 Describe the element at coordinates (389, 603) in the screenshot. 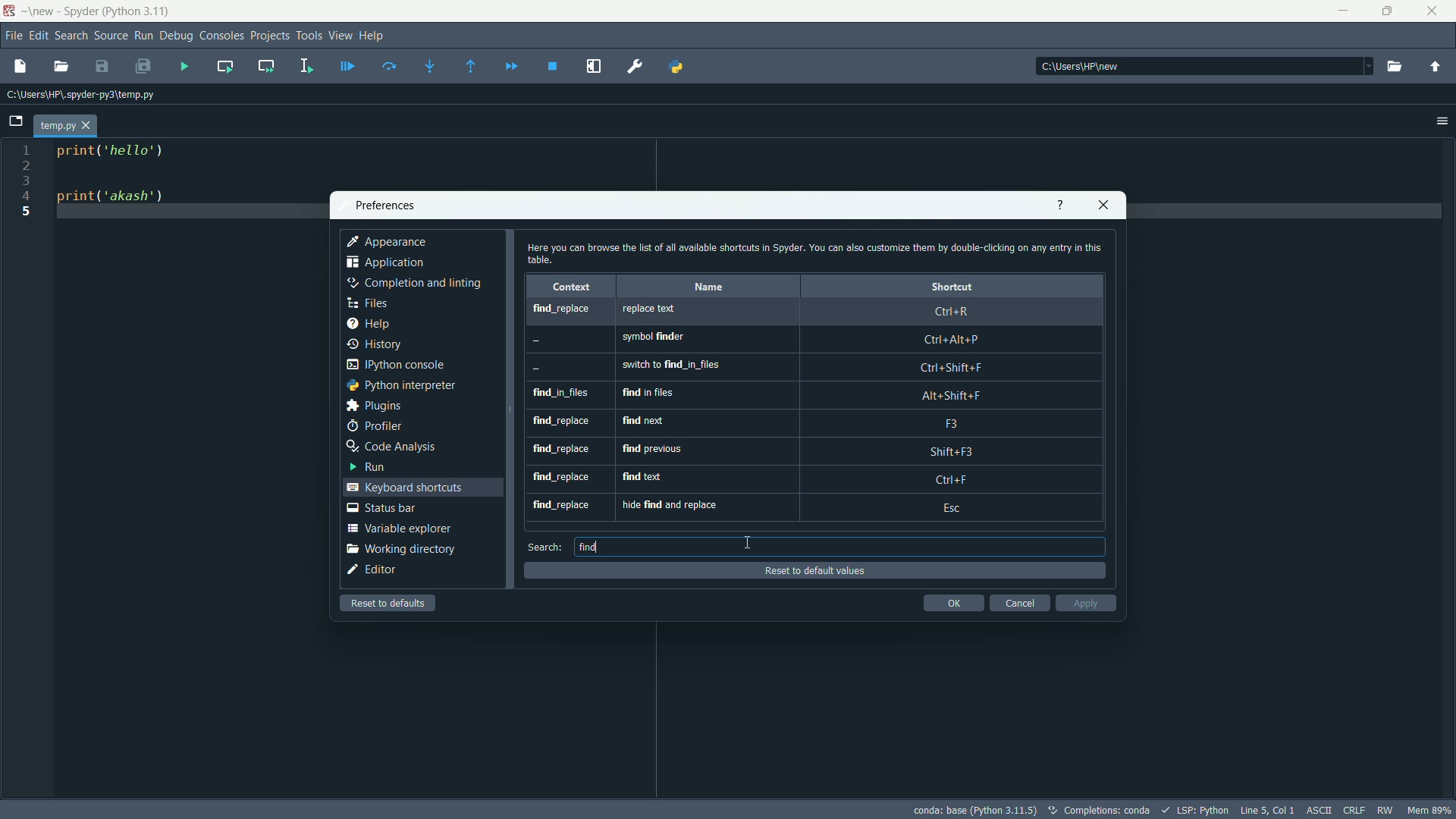

I see `reset to defaults` at that location.